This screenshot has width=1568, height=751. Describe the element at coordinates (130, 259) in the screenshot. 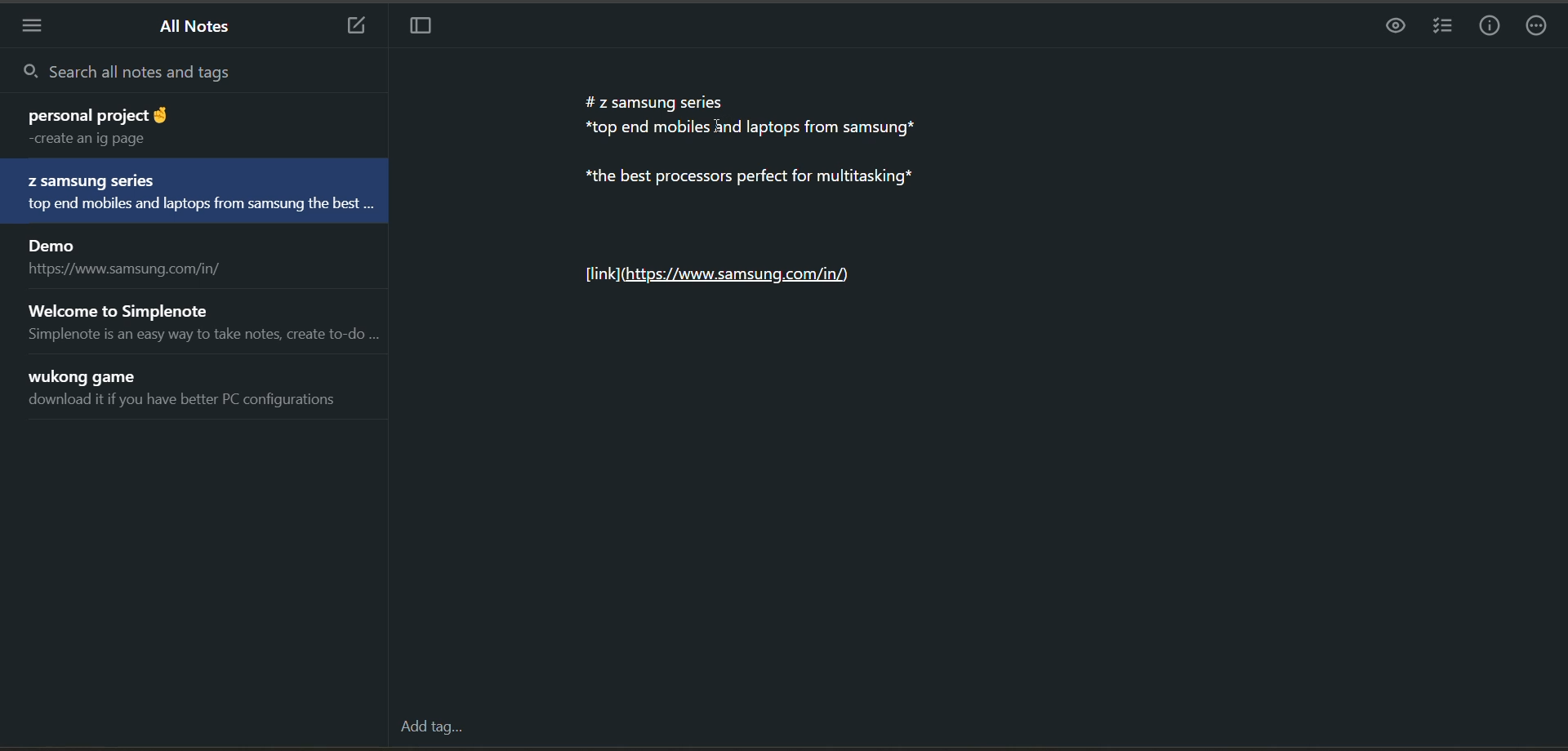

I see `note title and preview` at that location.